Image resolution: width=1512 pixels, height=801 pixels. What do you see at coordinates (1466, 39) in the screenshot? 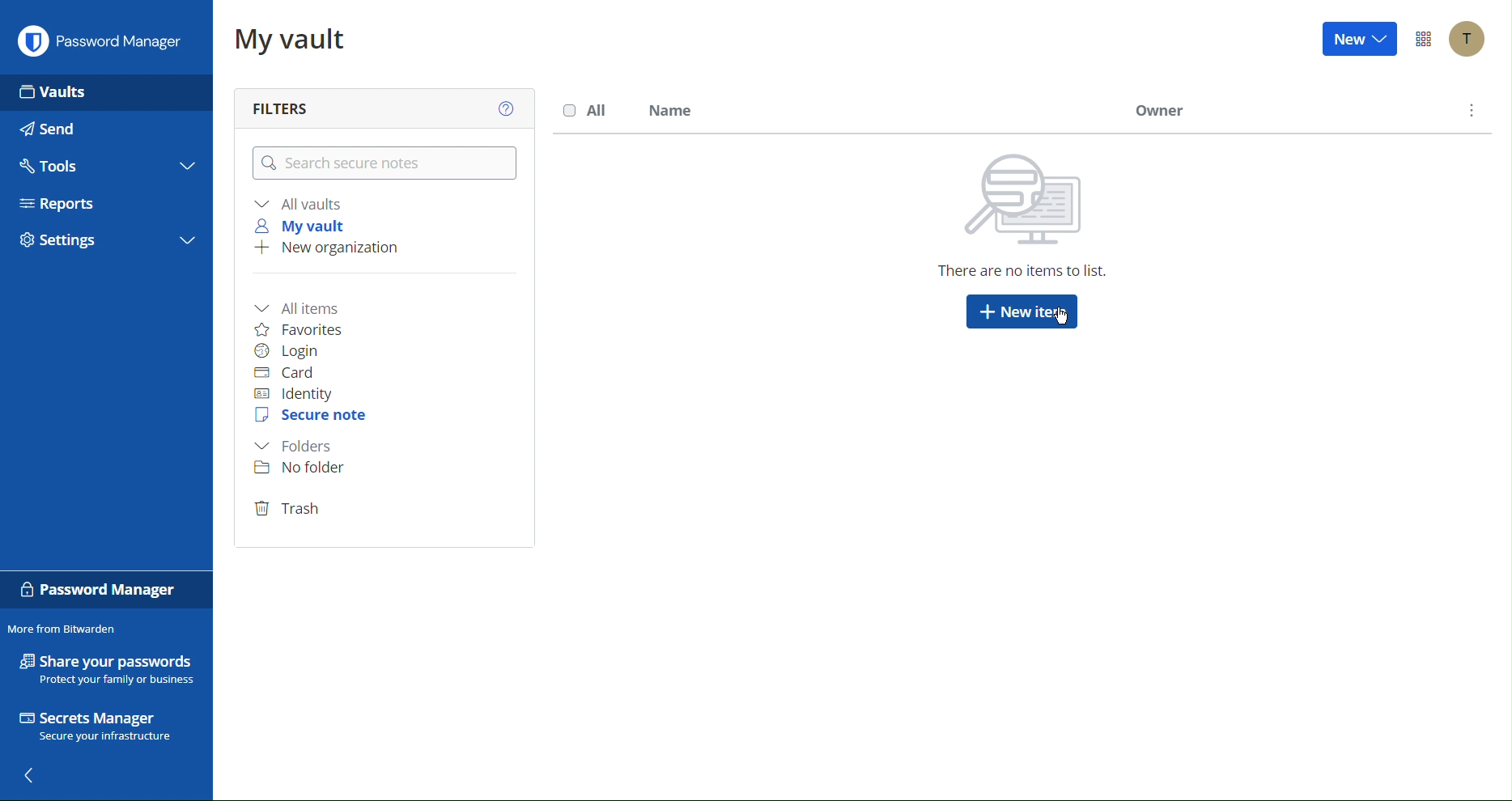
I see `Account` at bounding box center [1466, 39].